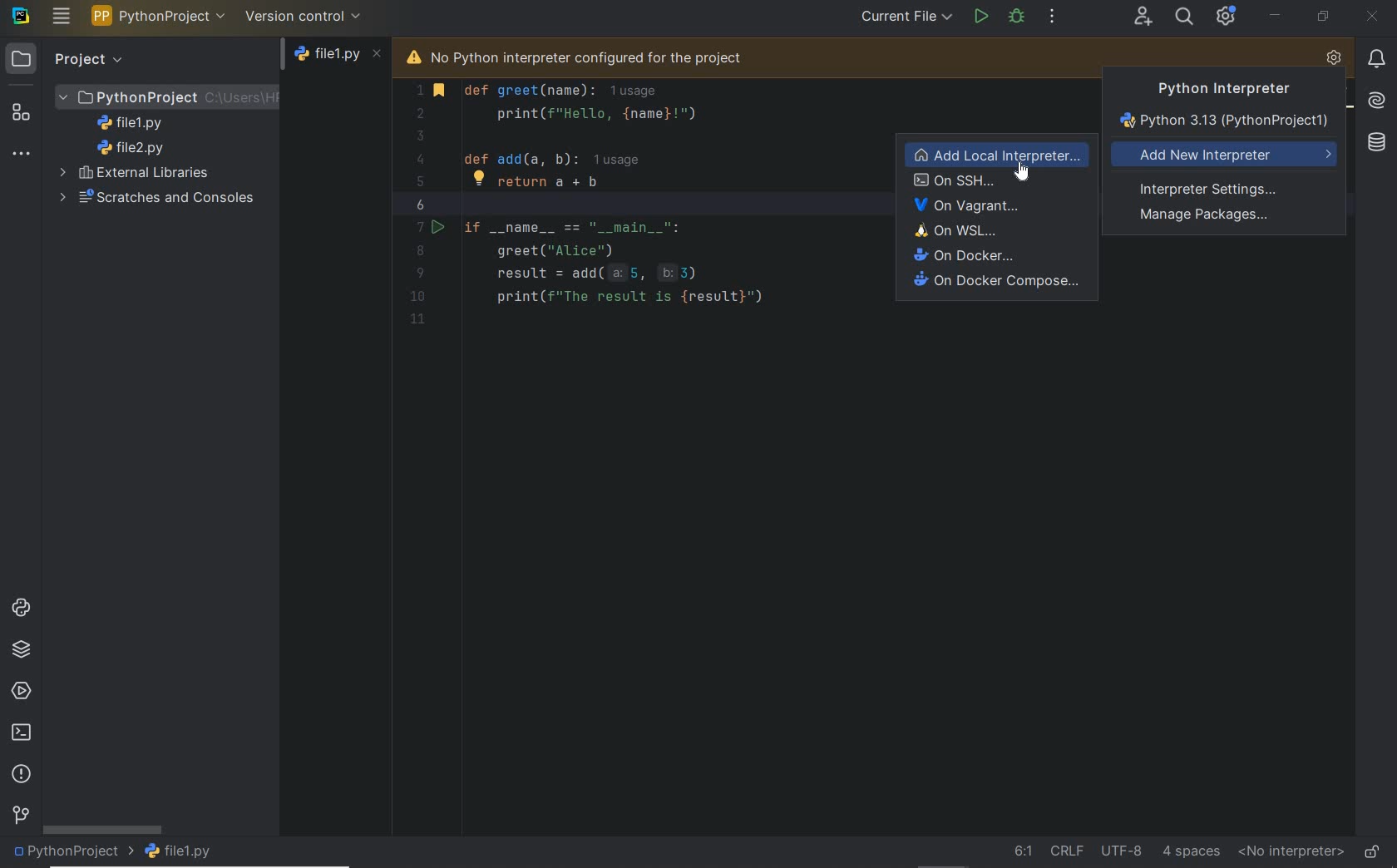 Image resolution: width=1397 pixels, height=868 pixels. Describe the element at coordinates (1375, 143) in the screenshot. I see `database` at that location.